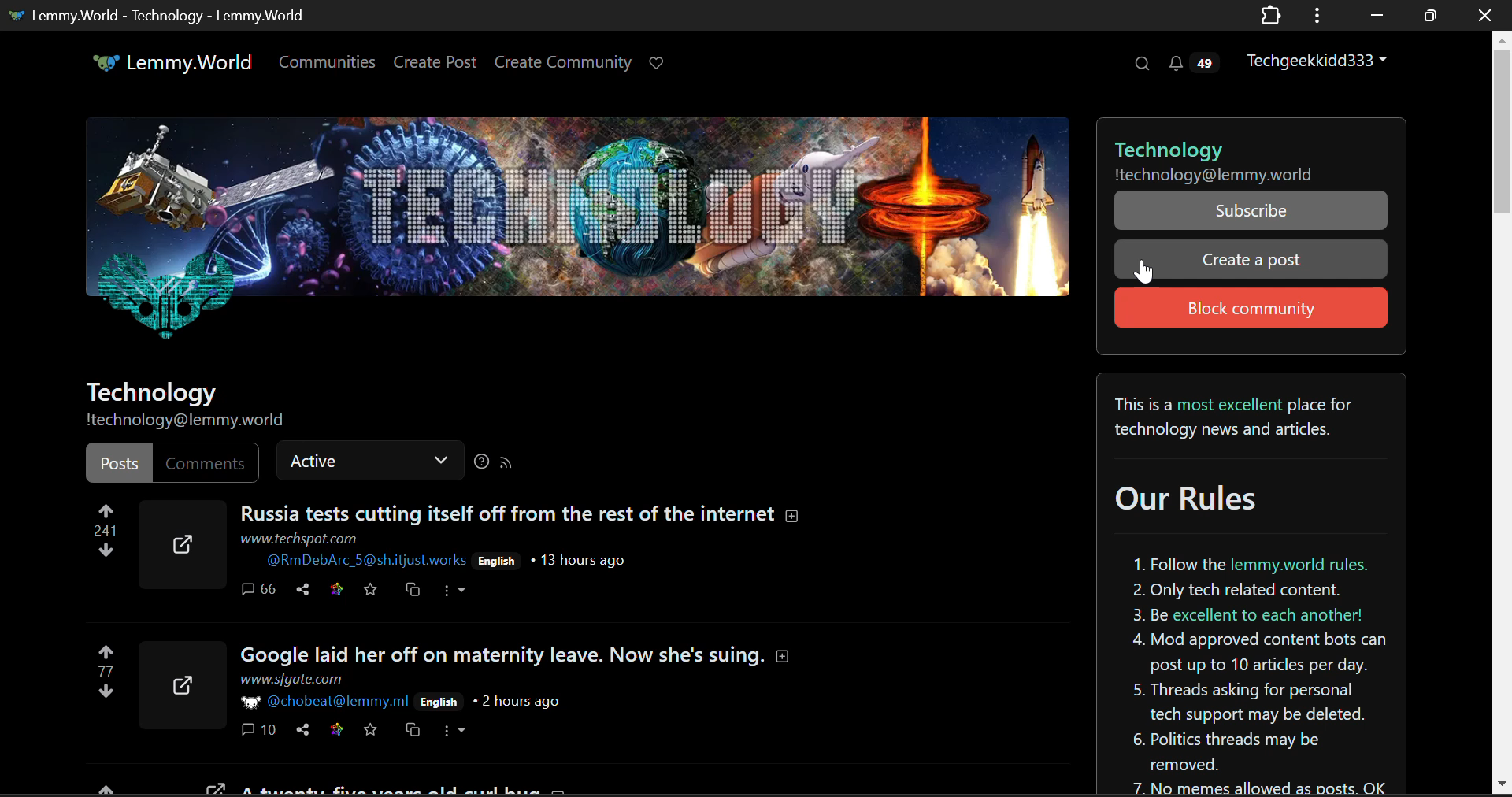 Image resolution: width=1512 pixels, height=797 pixels. What do you see at coordinates (160, 17) in the screenshot?
I see `Lemmy.World - Technology - Lemmy.World` at bounding box center [160, 17].